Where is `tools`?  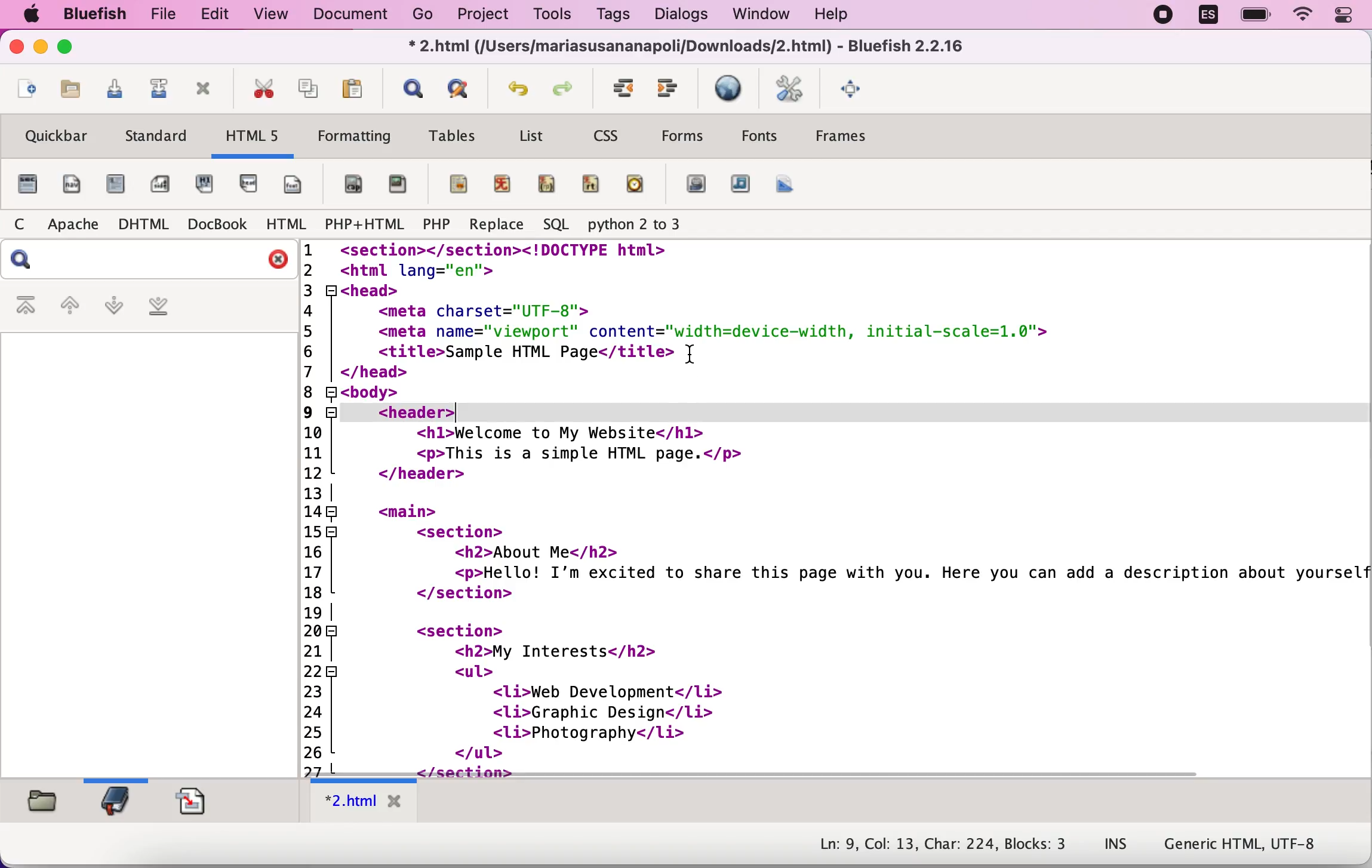 tools is located at coordinates (556, 14).